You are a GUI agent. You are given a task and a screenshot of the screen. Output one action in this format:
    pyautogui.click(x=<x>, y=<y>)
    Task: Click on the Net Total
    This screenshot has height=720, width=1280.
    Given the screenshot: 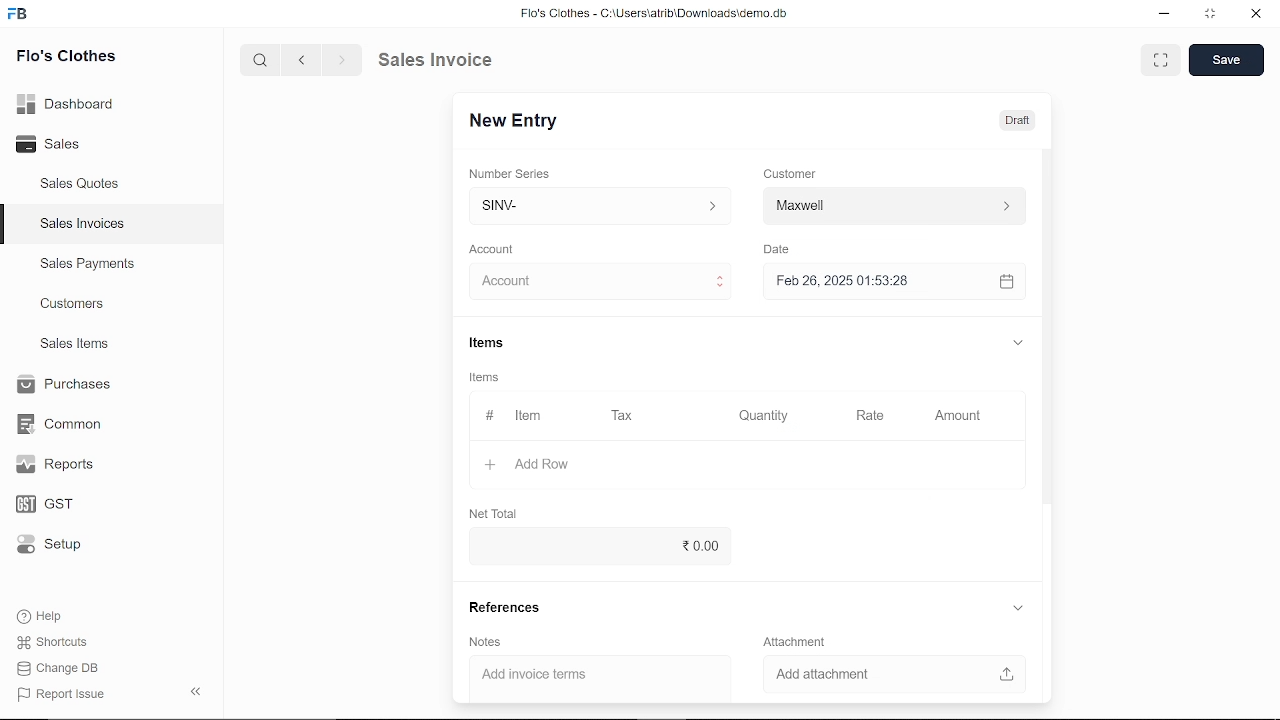 What is the action you would take?
    pyautogui.click(x=496, y=511)
    